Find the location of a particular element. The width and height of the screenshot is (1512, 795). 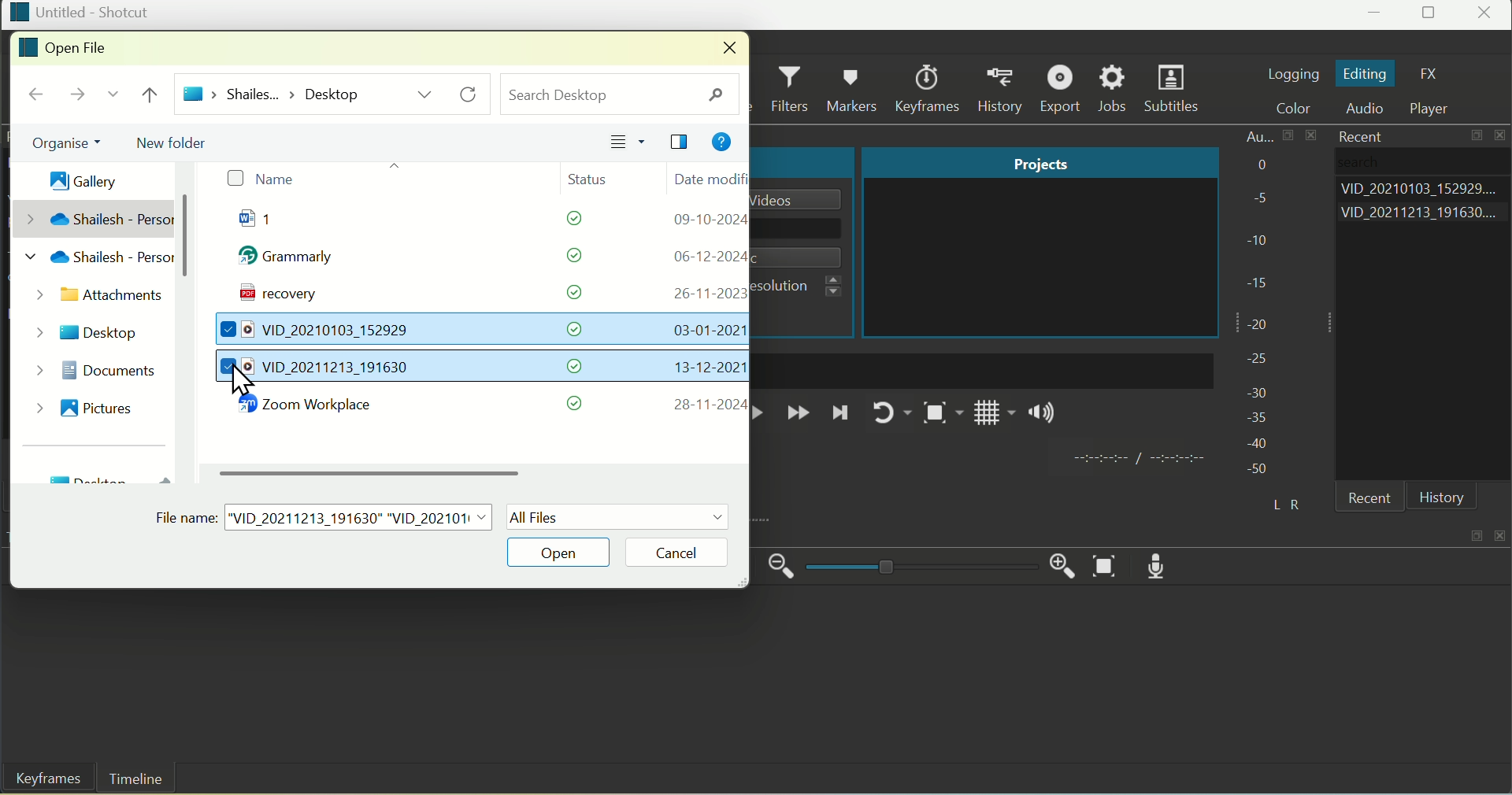

recovery is located at coordinates (273, 296).